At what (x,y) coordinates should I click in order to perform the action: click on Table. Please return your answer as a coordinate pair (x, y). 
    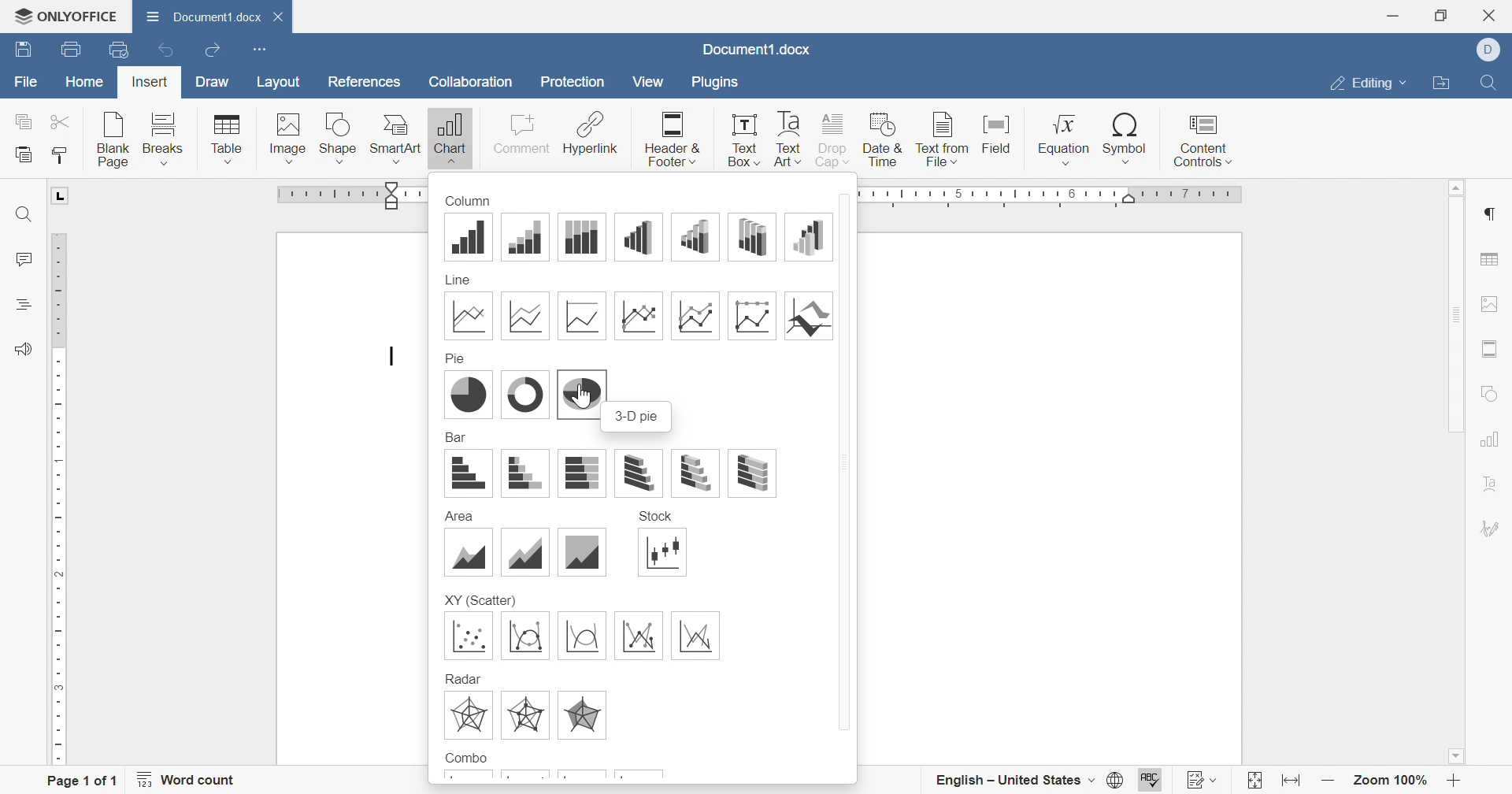
    Looking at the image, I should click on (227, 138).